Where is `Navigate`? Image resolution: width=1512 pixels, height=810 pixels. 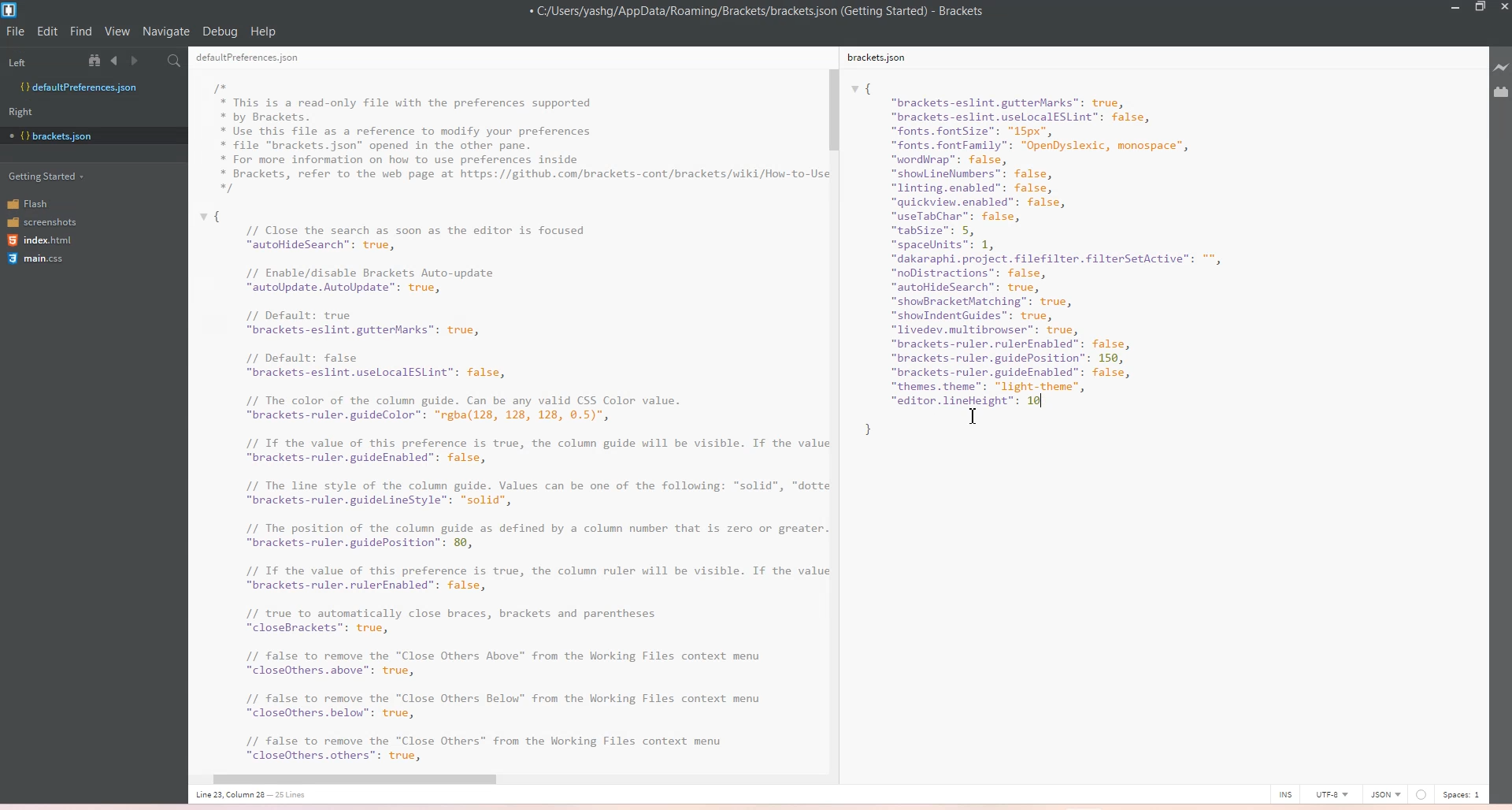 Navigate is located at coordinates (166, 32).